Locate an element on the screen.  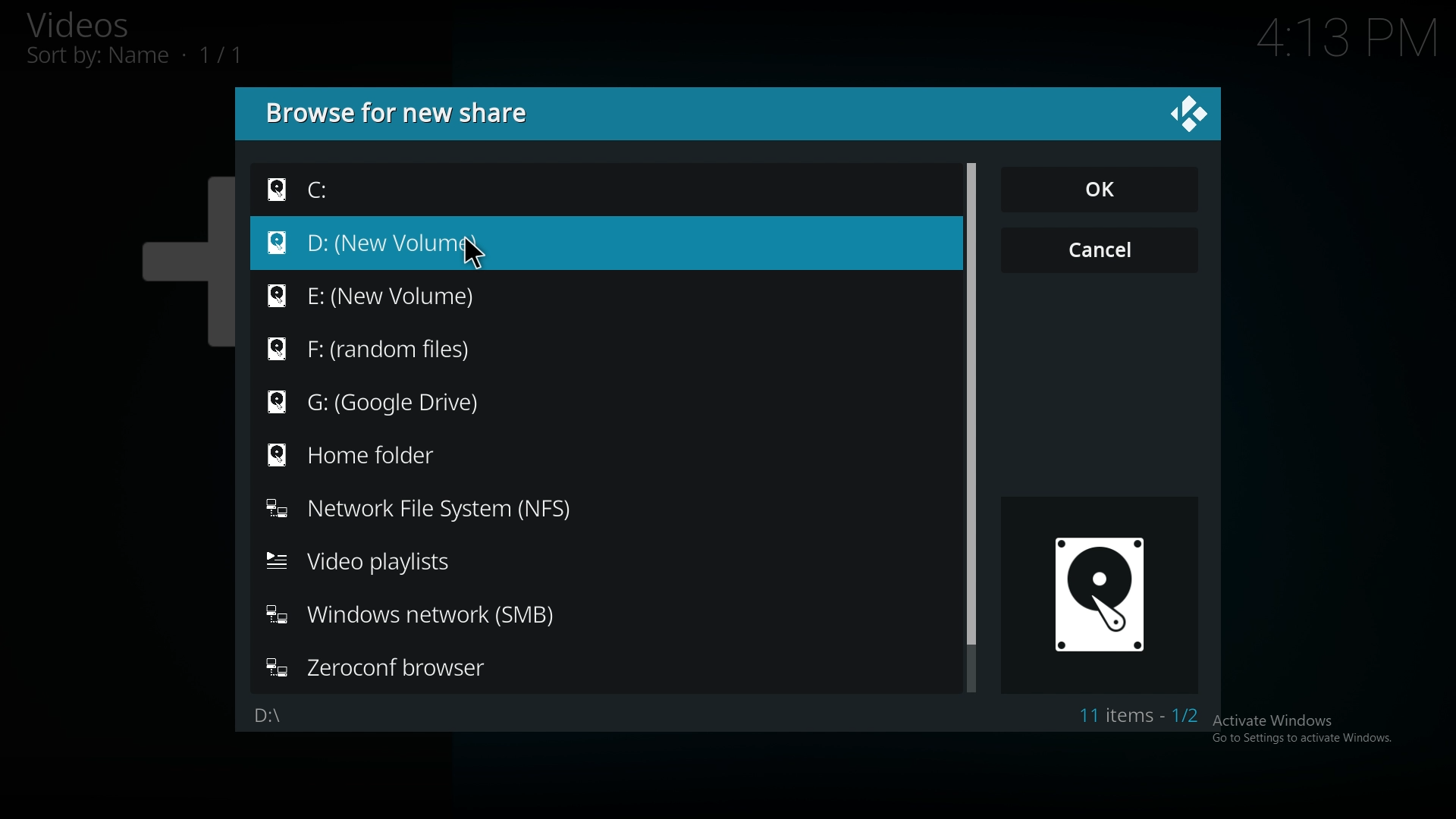
scroll bar is located at coordinates (969, 403).